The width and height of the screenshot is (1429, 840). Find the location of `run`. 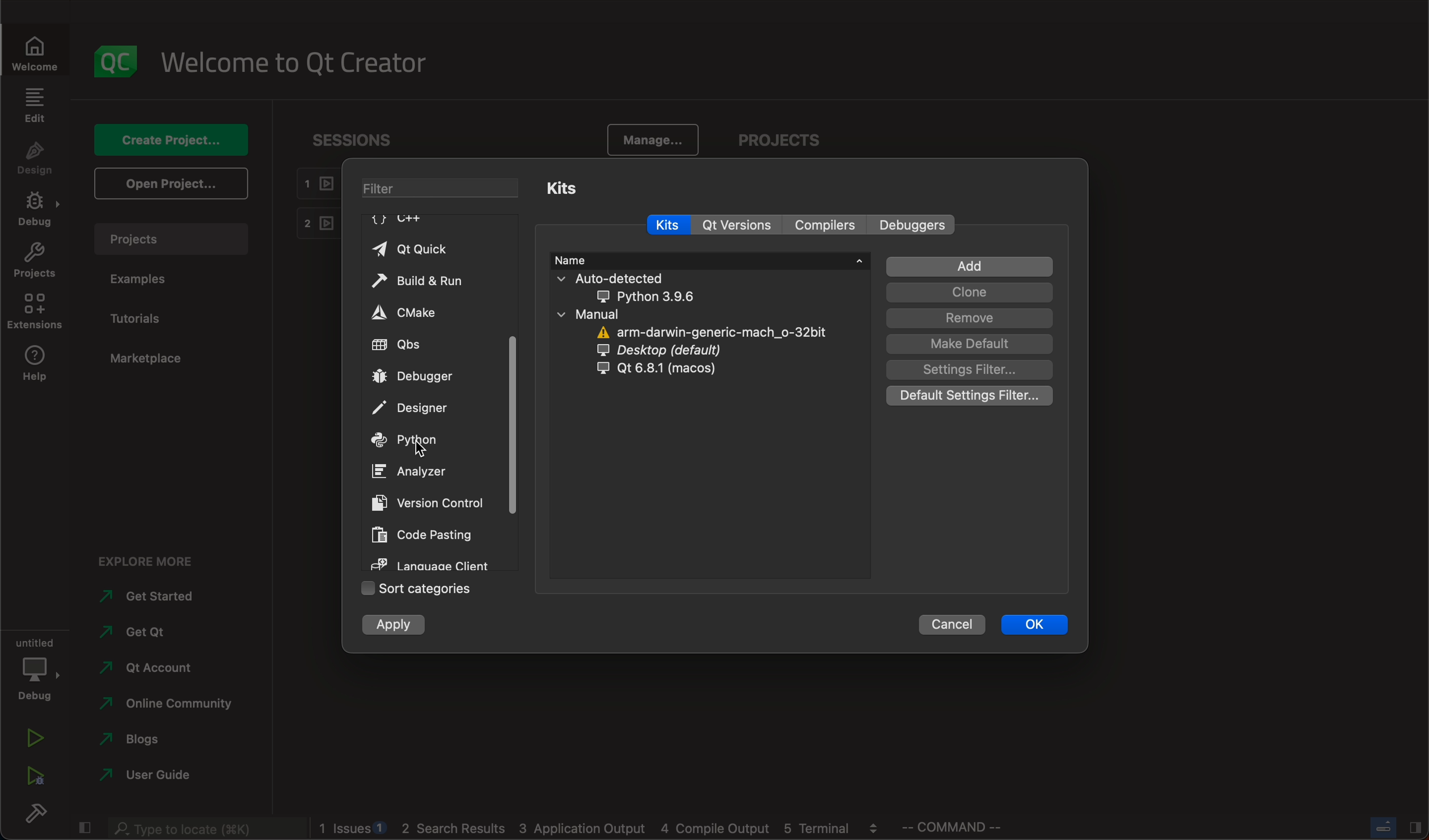

run is located at coordinates (37, 740).